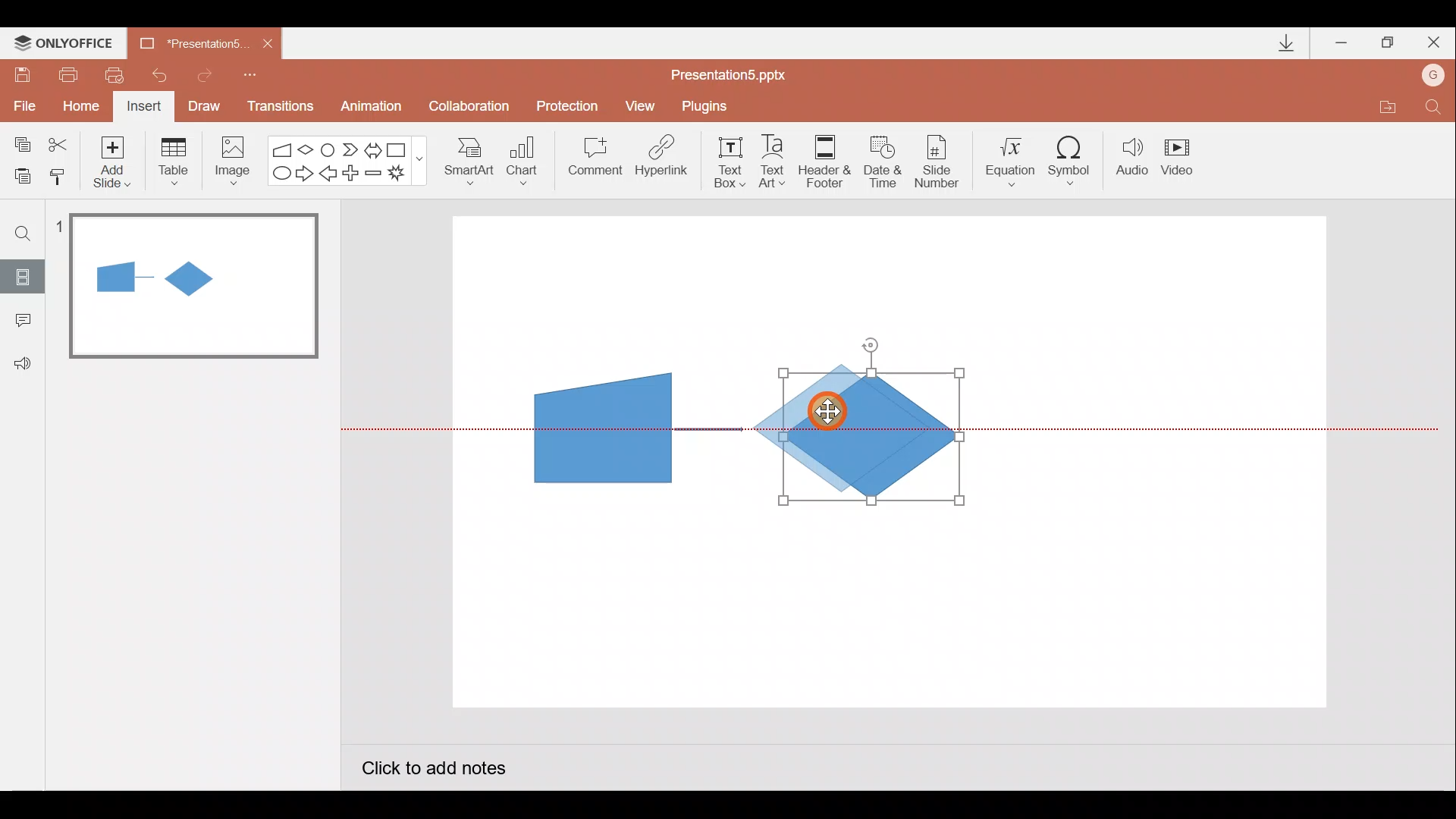 The image size is (1456, 819). I want to click on Copy, so click(20, 142).